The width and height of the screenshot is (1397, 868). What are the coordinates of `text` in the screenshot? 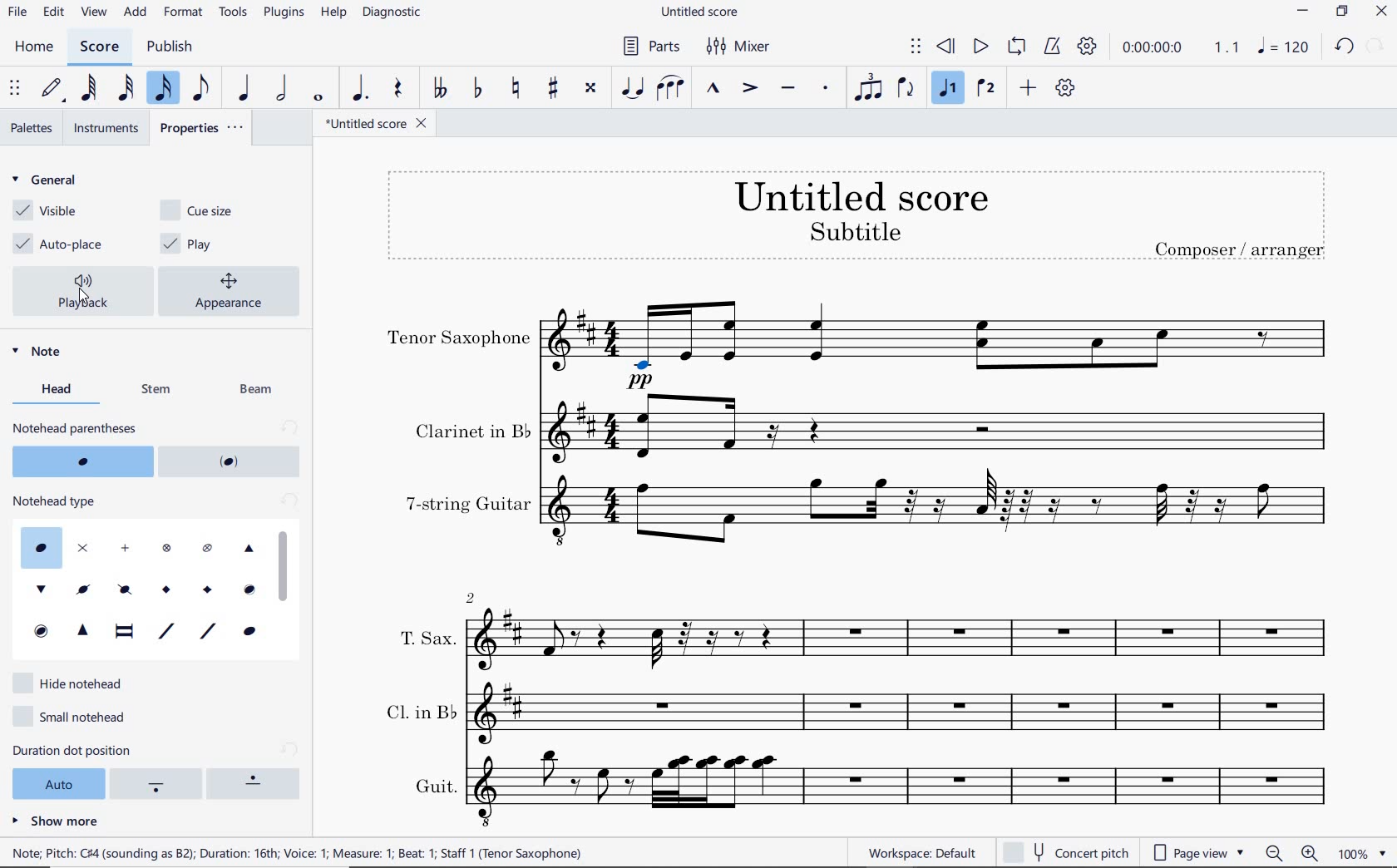 It's located at (1239, 248).